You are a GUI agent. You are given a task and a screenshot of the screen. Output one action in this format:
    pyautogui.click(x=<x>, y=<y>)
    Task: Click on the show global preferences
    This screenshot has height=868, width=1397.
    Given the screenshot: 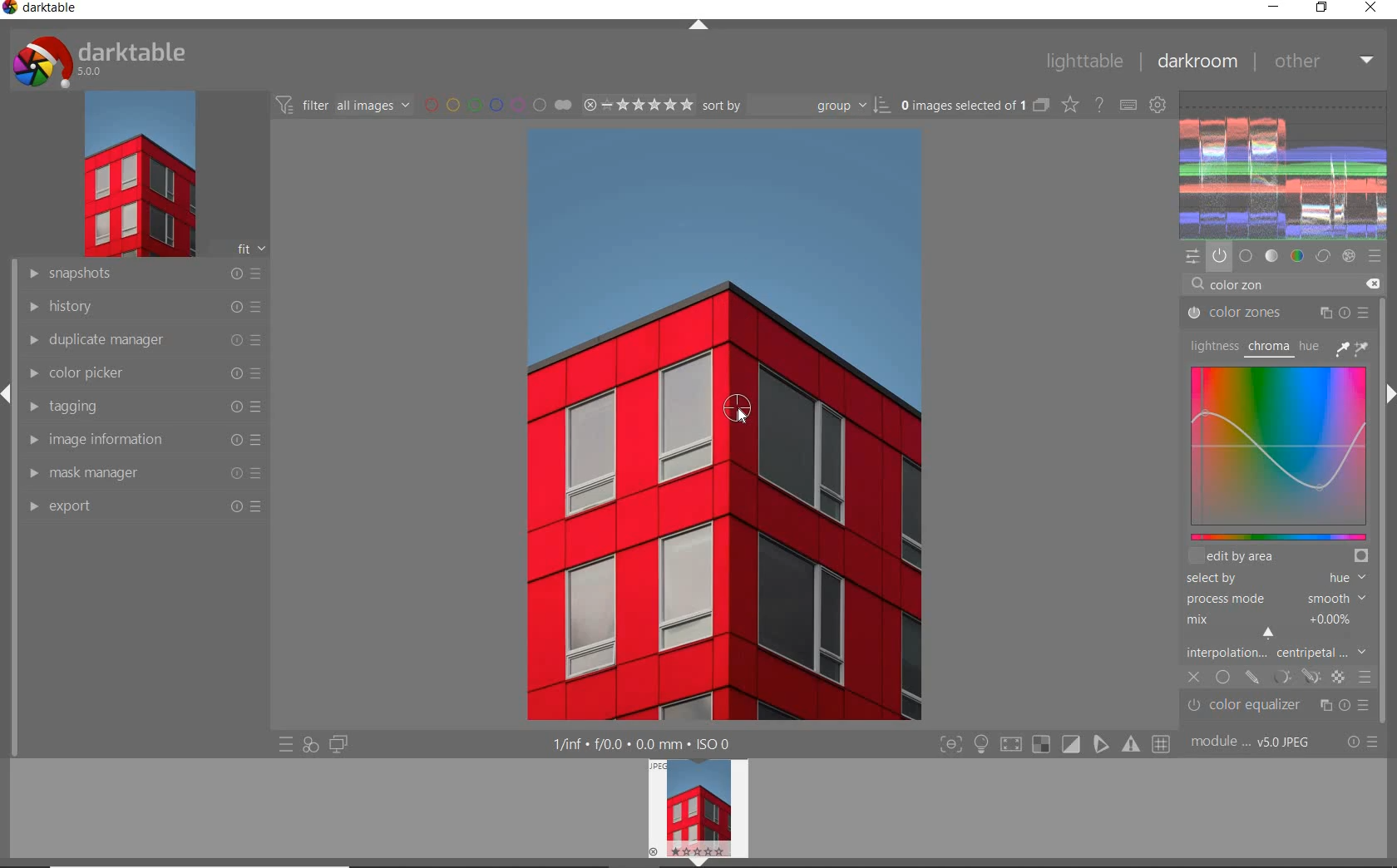 What is the action you would take?
    pyautogui.click(x=1159, y=106)
    